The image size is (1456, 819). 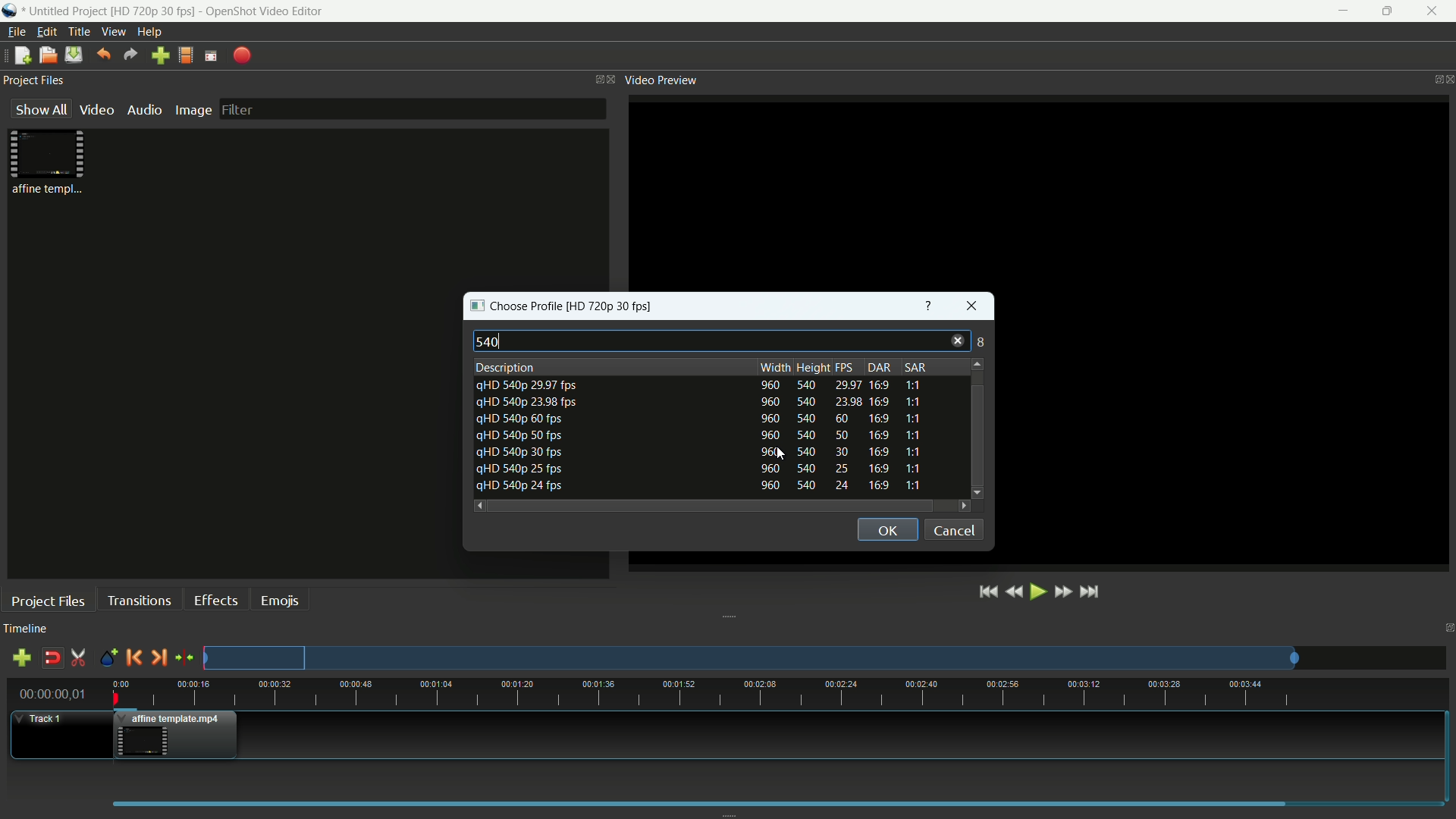 What do you see at coordinates (1036, 592) in the screenshot?
I see `play or pause` at bounding box center [1036, 592].